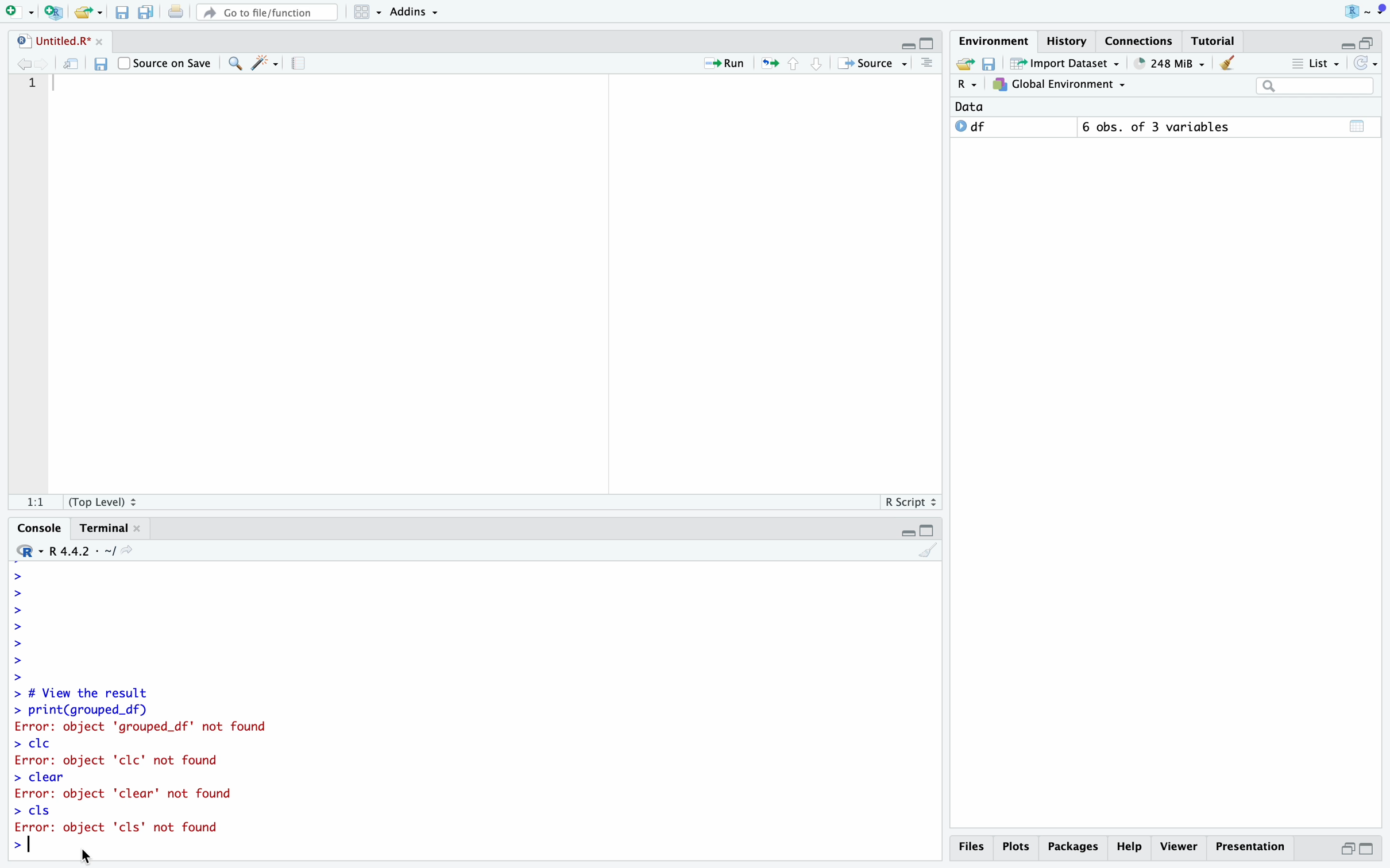 The height and width of the screenshot is (868, 1390). Describe the element at coordinates (1250, 847) in the screenshot. I see `Presentation` at that location.